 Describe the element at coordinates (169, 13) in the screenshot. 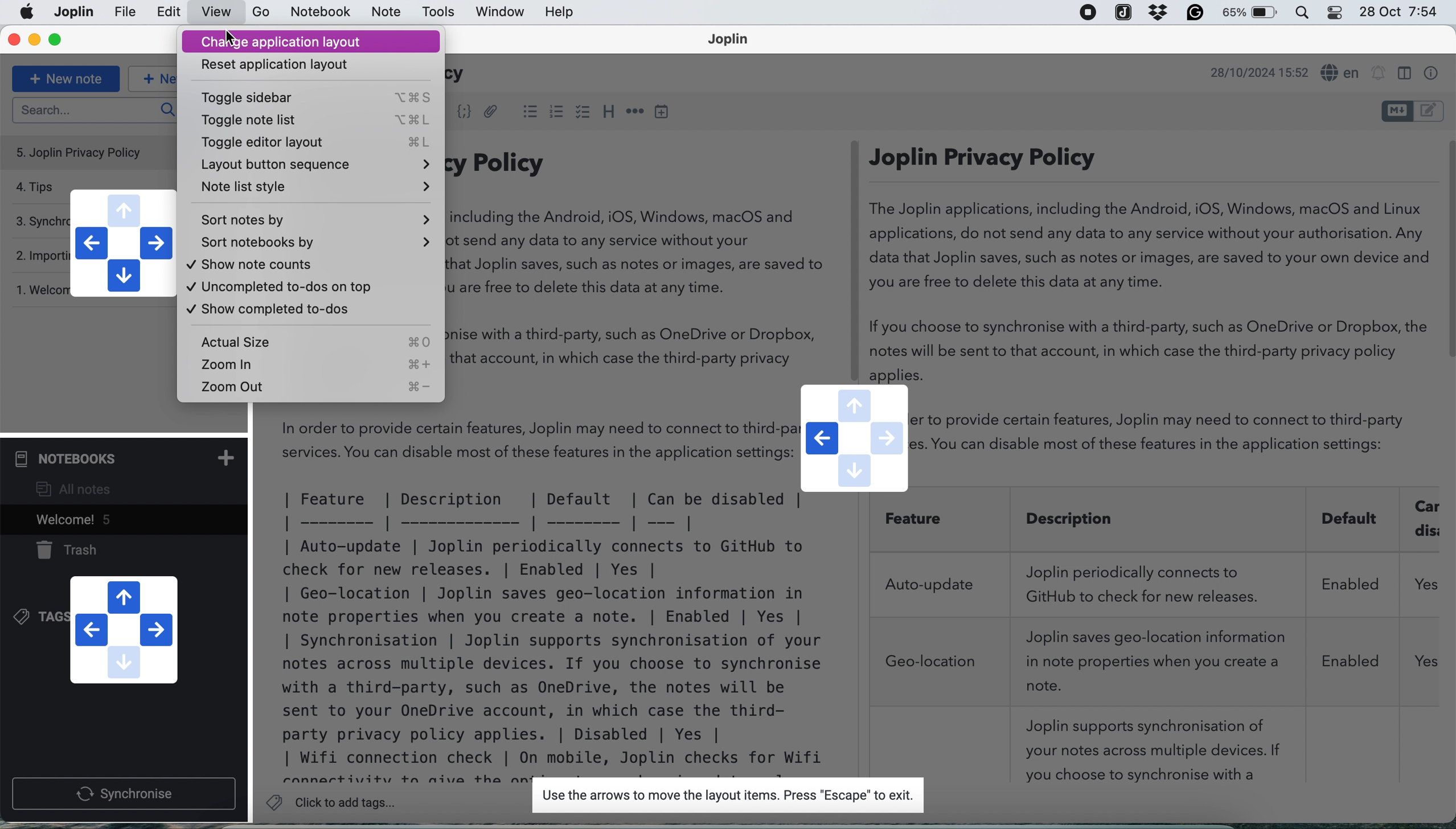

I see `edit` at that location.